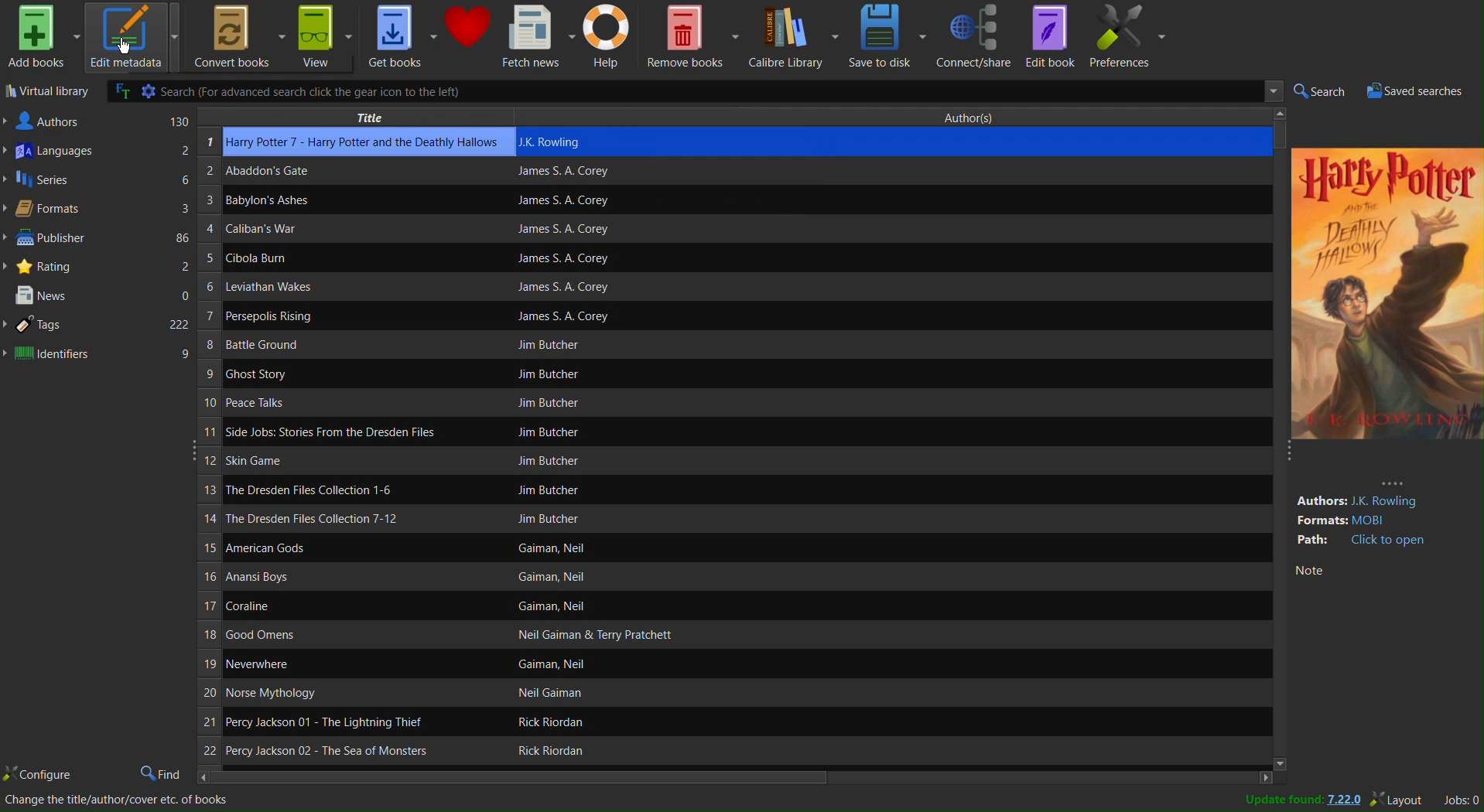 The height and width of the screenshot is (812, 1484). I want to click on Author’s name, so click(607, 694).